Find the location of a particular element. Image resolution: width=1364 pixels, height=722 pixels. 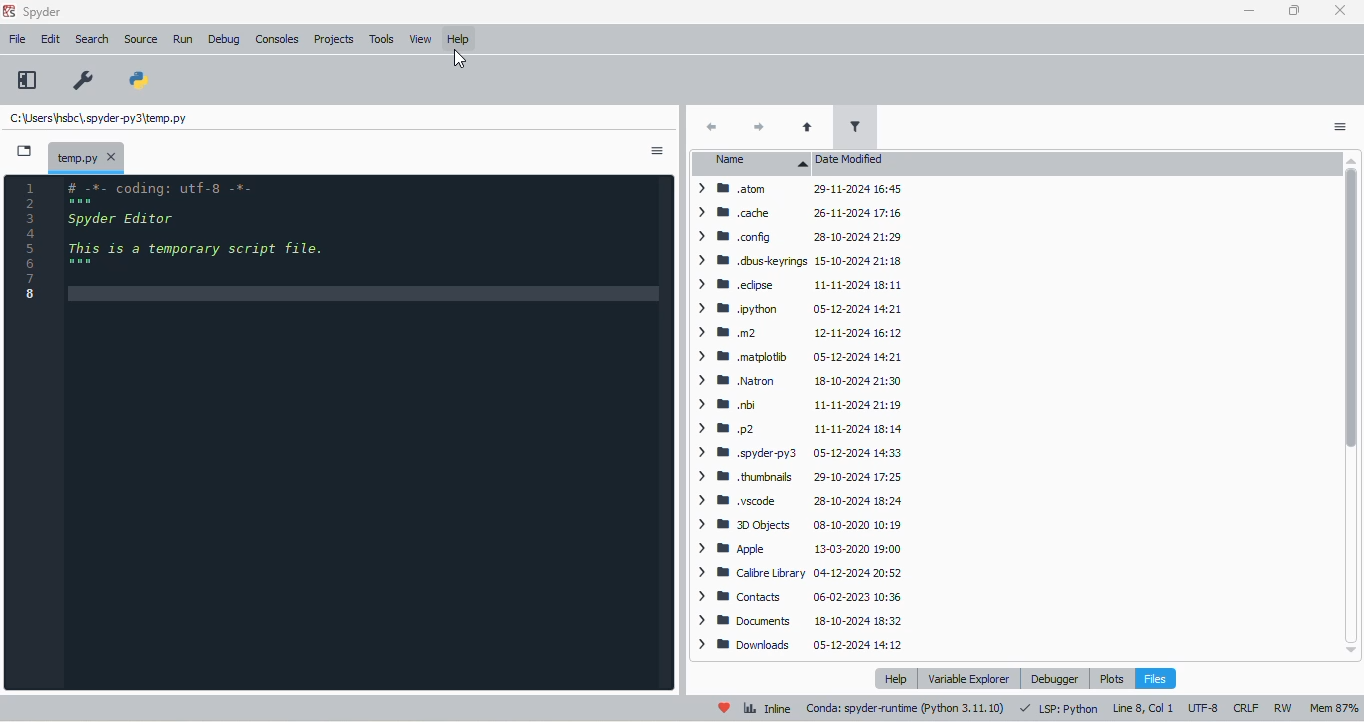

close is located at coordinates (1339, 10).